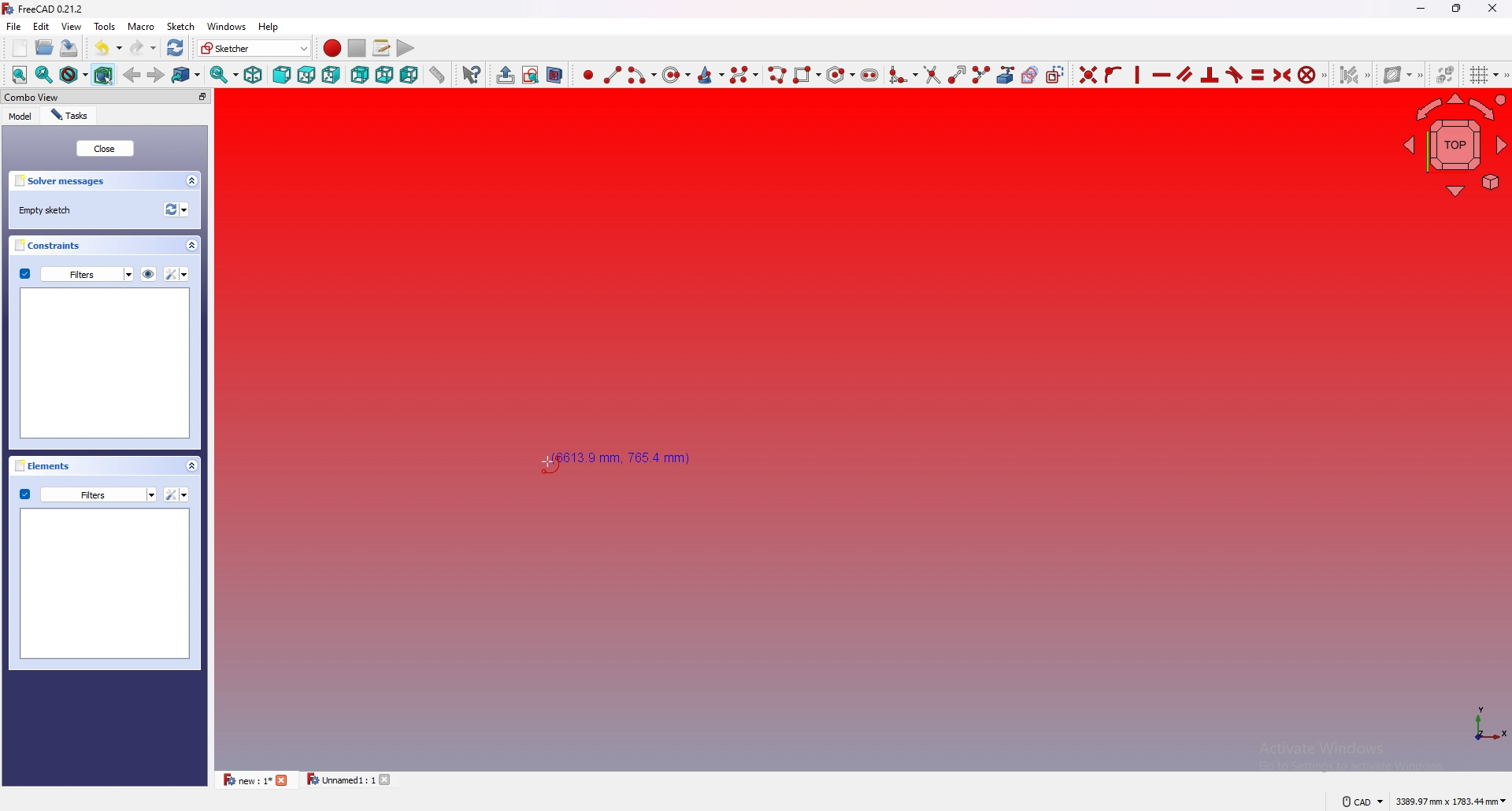 The image size is (1512, 811). What do you see at coordinates (360, 75) in the screenshot?
I see `back` at bounding box center [360, 75].